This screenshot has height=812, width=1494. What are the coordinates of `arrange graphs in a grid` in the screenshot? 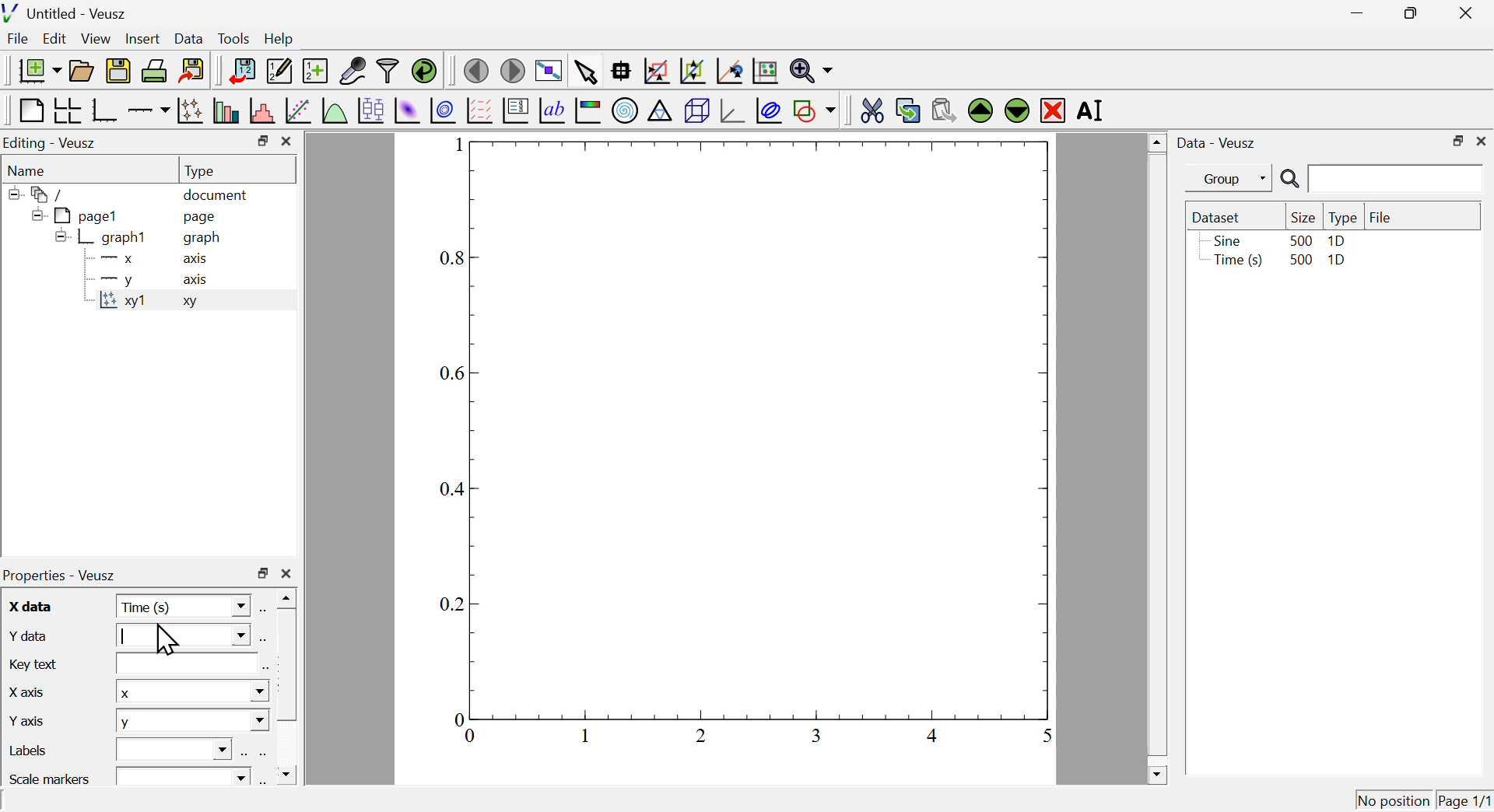 It's located at (67, 111).